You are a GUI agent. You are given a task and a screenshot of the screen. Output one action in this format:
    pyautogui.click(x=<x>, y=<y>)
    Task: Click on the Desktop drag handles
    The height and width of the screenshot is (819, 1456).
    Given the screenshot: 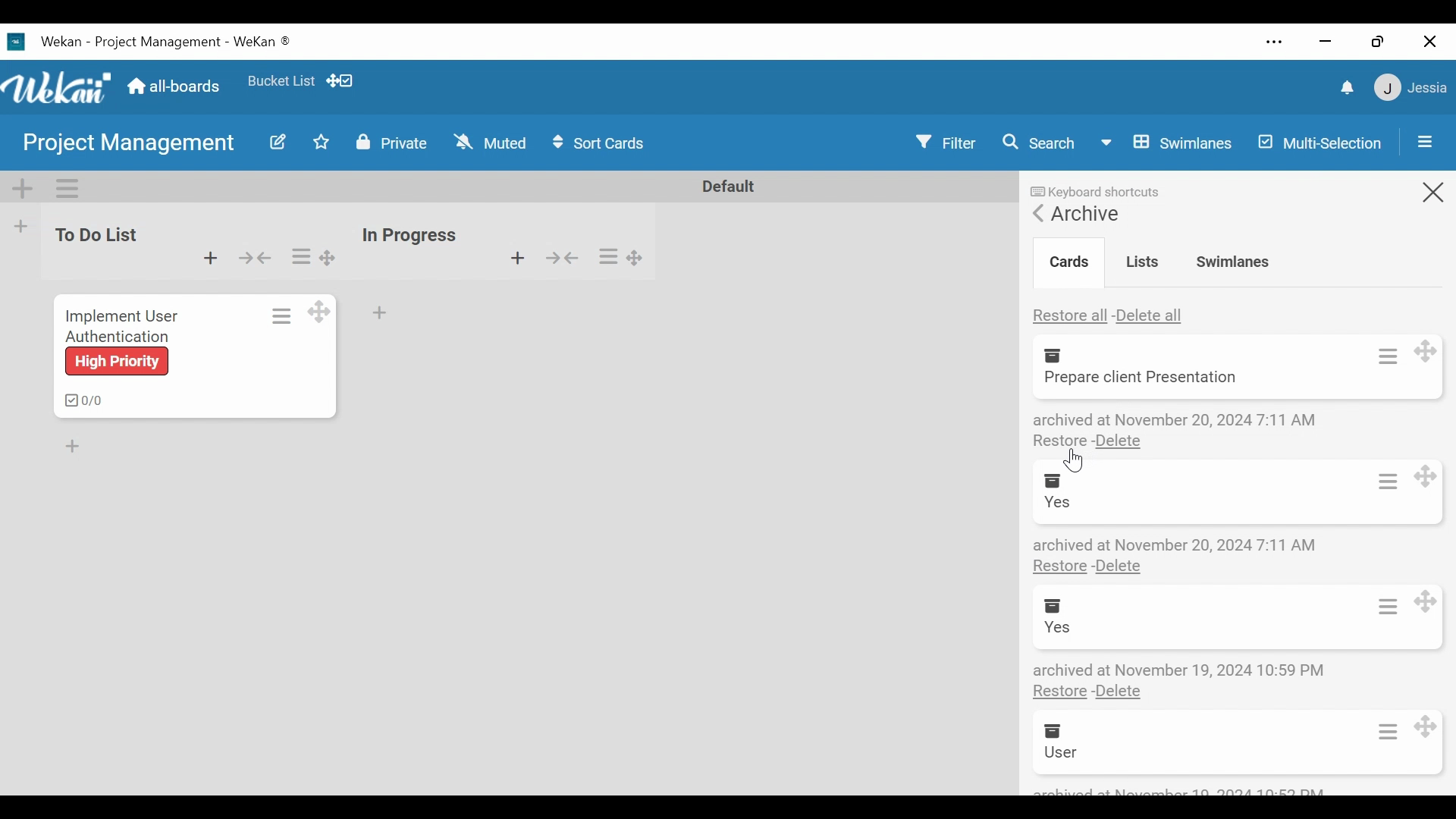 What is the action you would take?
    pyautogui.click(x=1430, y=475)
    